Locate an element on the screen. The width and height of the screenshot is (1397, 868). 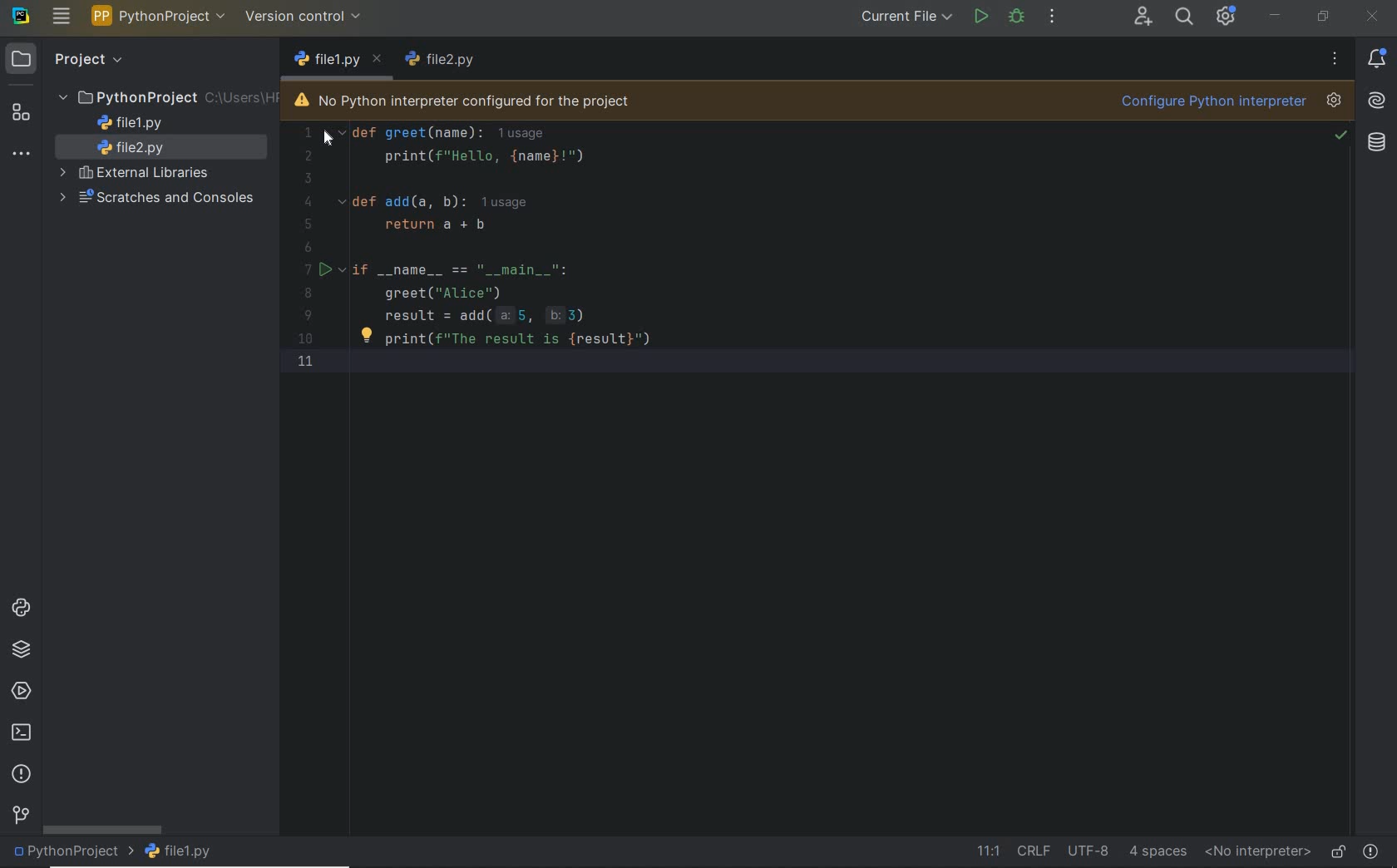
file name is located at coordinates (180, 853).